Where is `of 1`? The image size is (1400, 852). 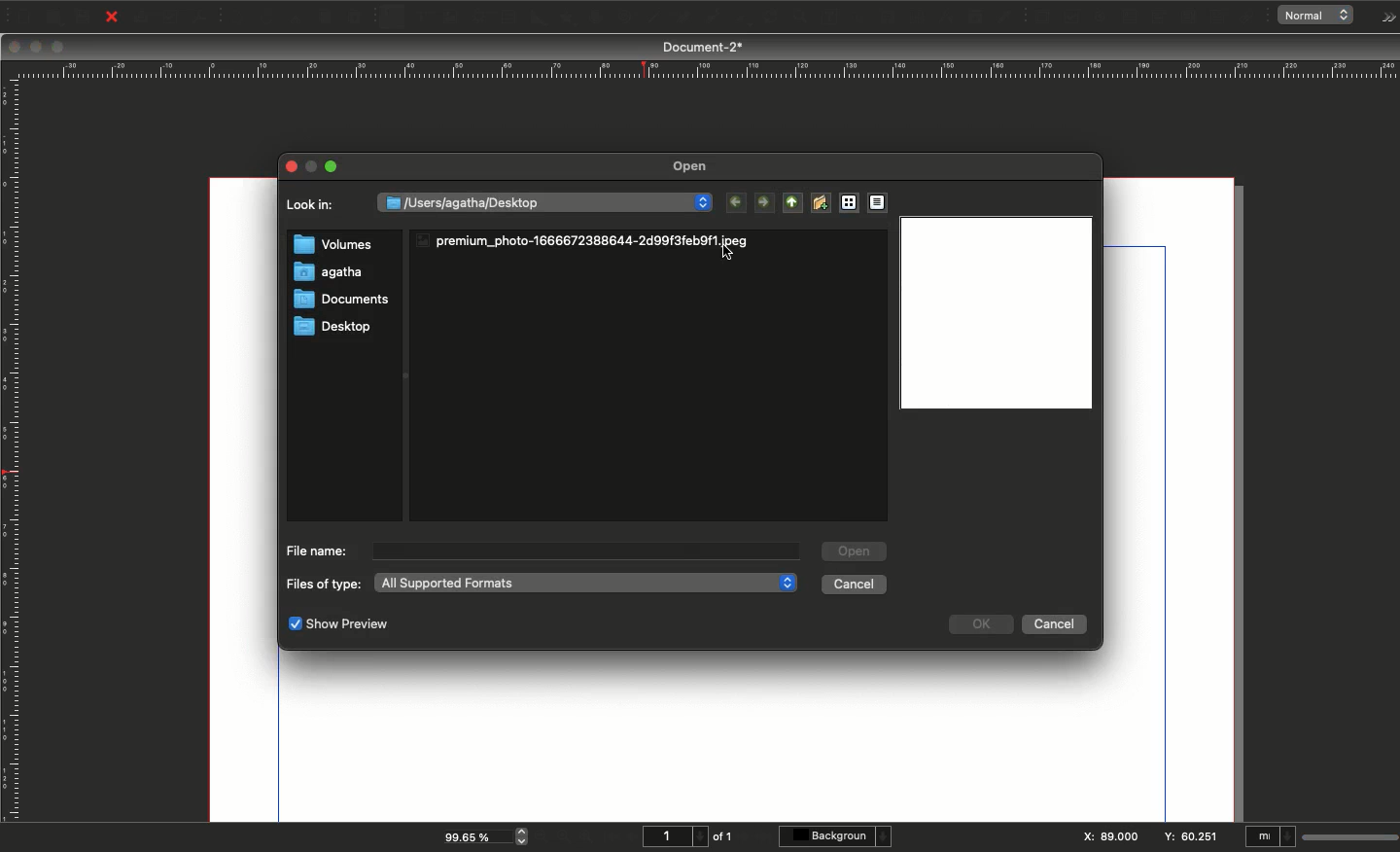
of 1 is located at coordinates (723, 836).